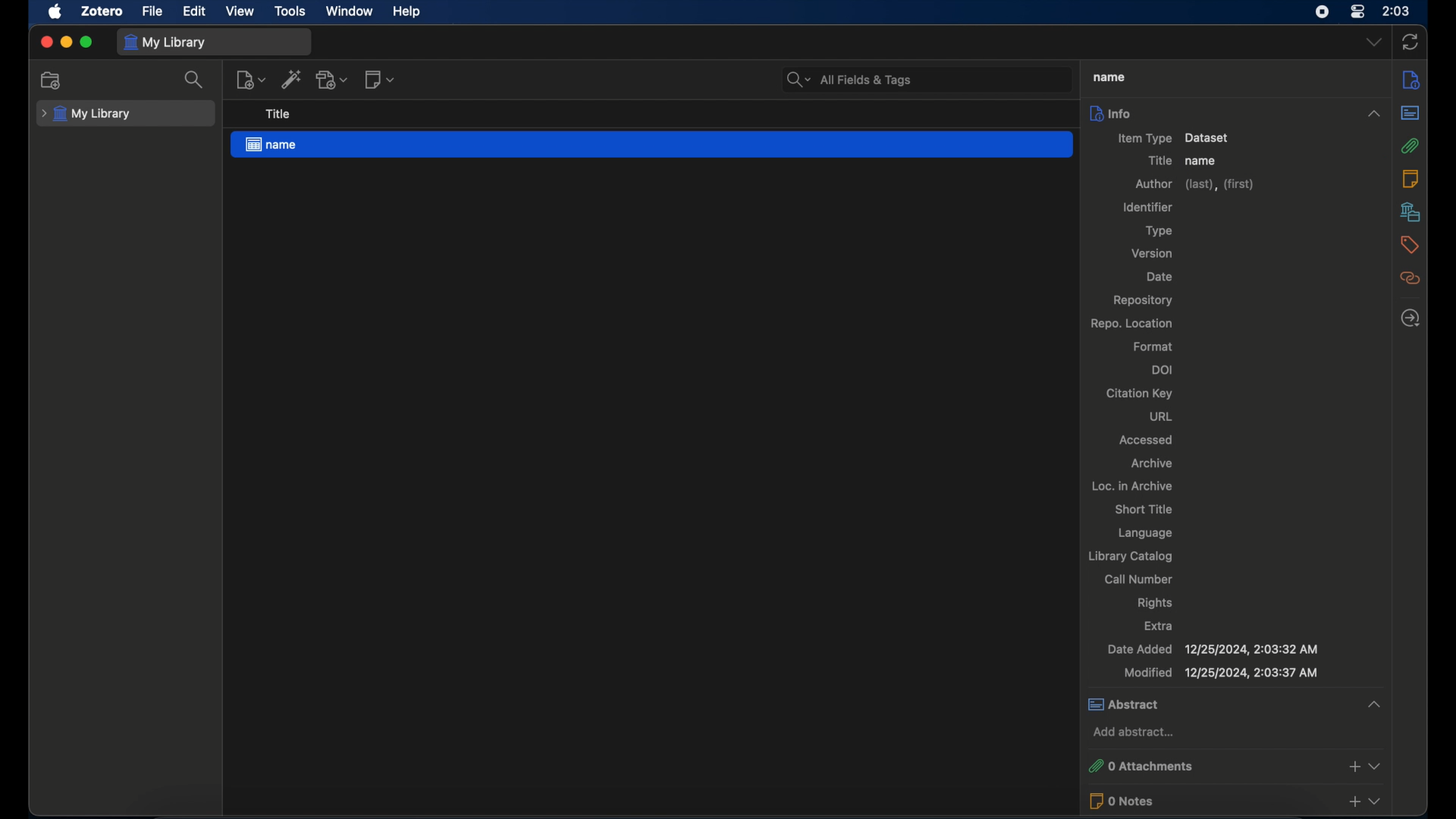 The height and width of the screenshot is (819, 1456). I want to click on my library, so click(86, 114).